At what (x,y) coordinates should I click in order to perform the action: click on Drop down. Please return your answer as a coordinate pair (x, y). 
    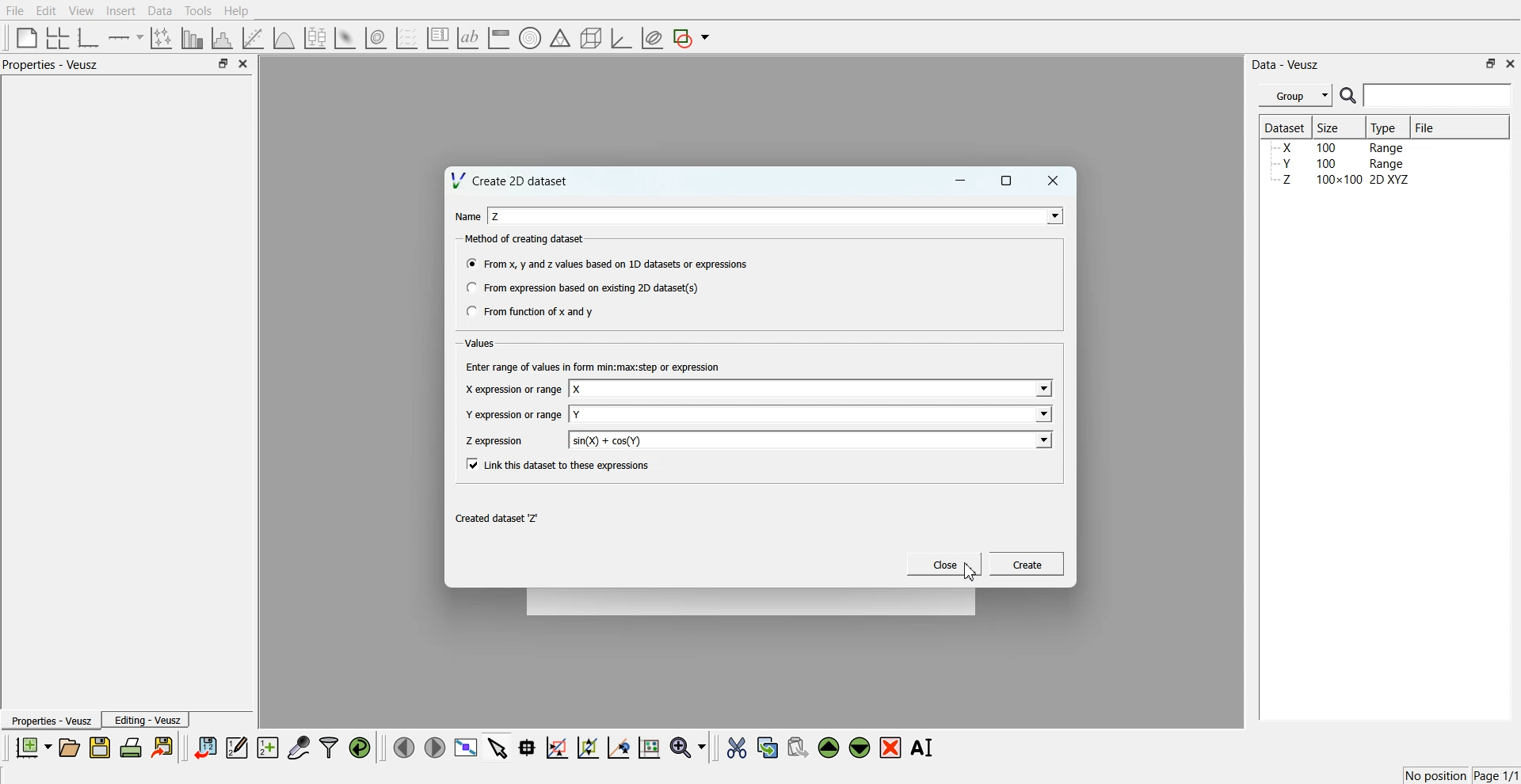
    Looking at the image, I should click on (1042, 390).